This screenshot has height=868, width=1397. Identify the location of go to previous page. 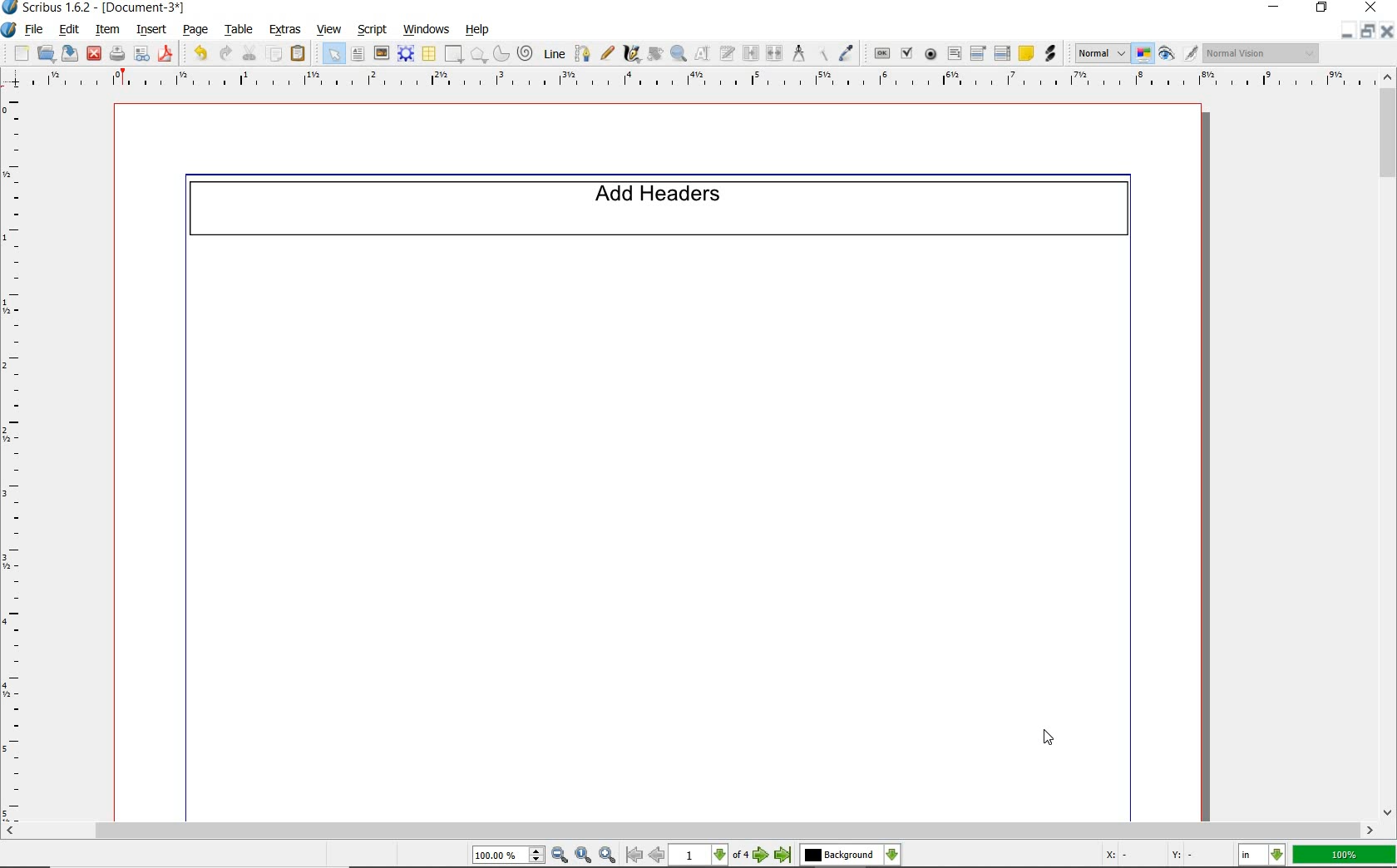
(658, 856).